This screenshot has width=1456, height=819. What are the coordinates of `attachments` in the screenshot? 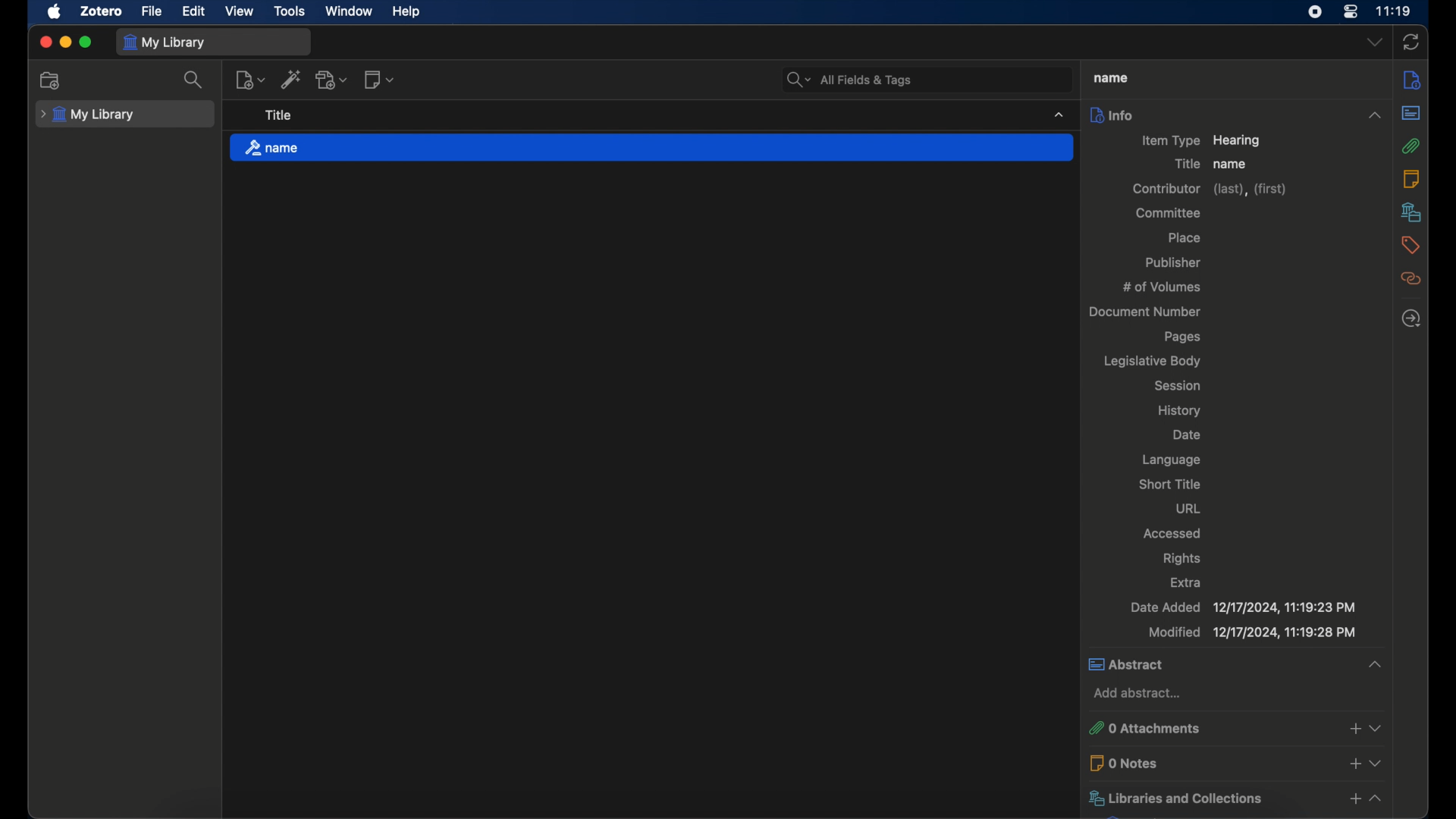 It's located at (1411, 146).